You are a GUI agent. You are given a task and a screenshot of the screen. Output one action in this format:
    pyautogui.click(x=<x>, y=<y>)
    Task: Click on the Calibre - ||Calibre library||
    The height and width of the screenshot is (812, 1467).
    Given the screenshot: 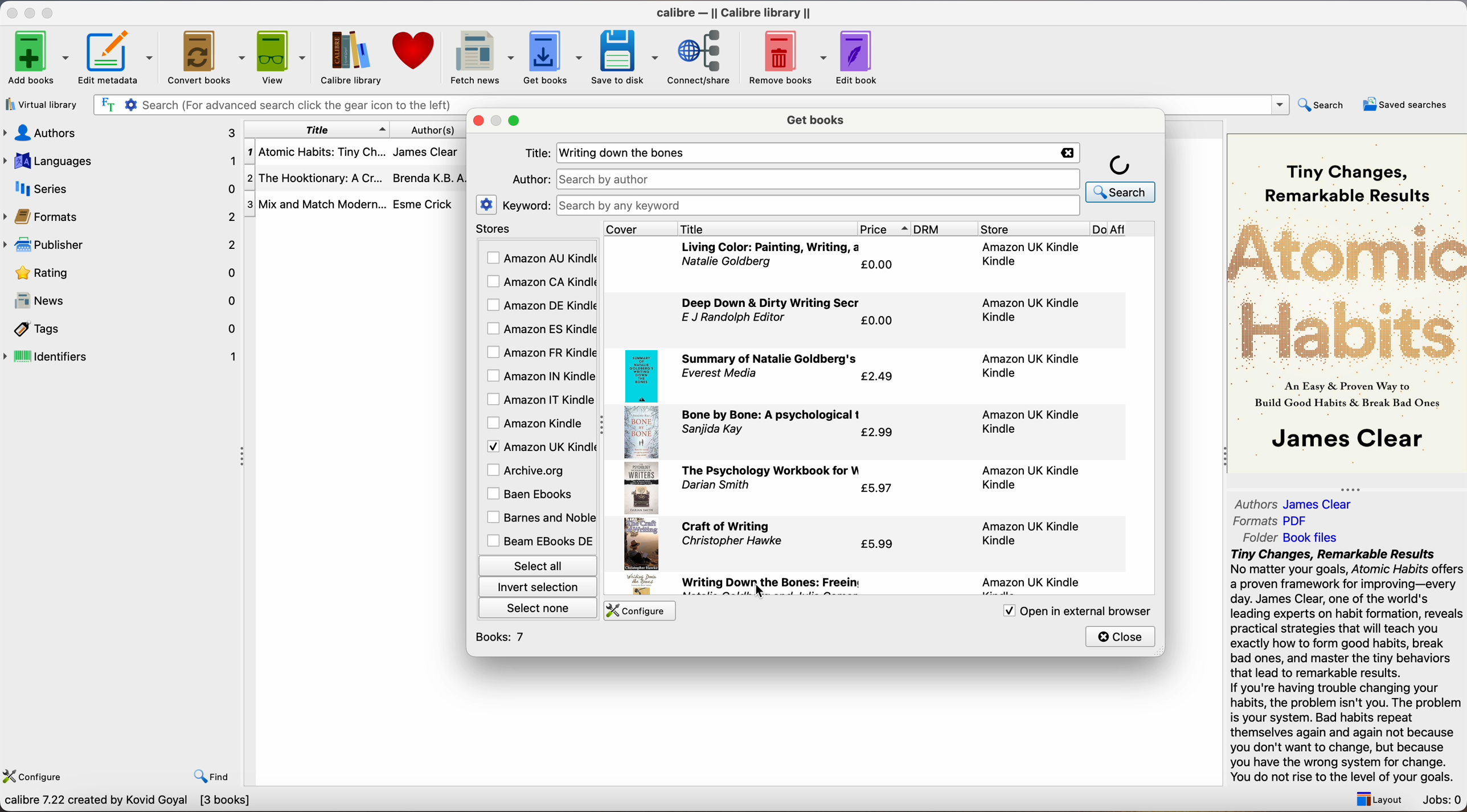 What is the action you would take?
    pyautogui.click(x=733, y=13)
    